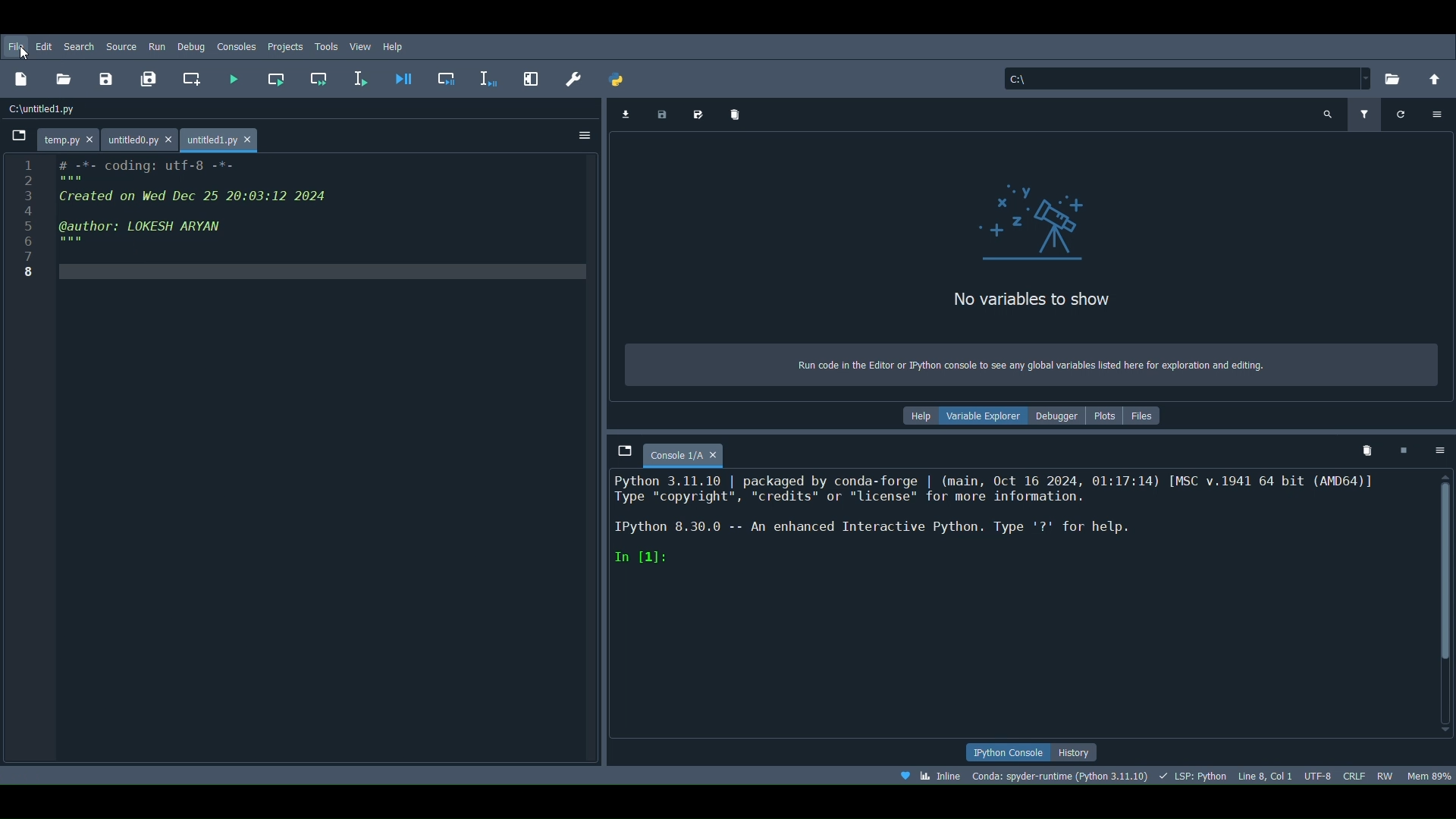  What do you see at coordinates (1329, 114) in the screenshot?
I see `Search variable names and types (Ctrl + F)` at bounding box center [1329, 114].